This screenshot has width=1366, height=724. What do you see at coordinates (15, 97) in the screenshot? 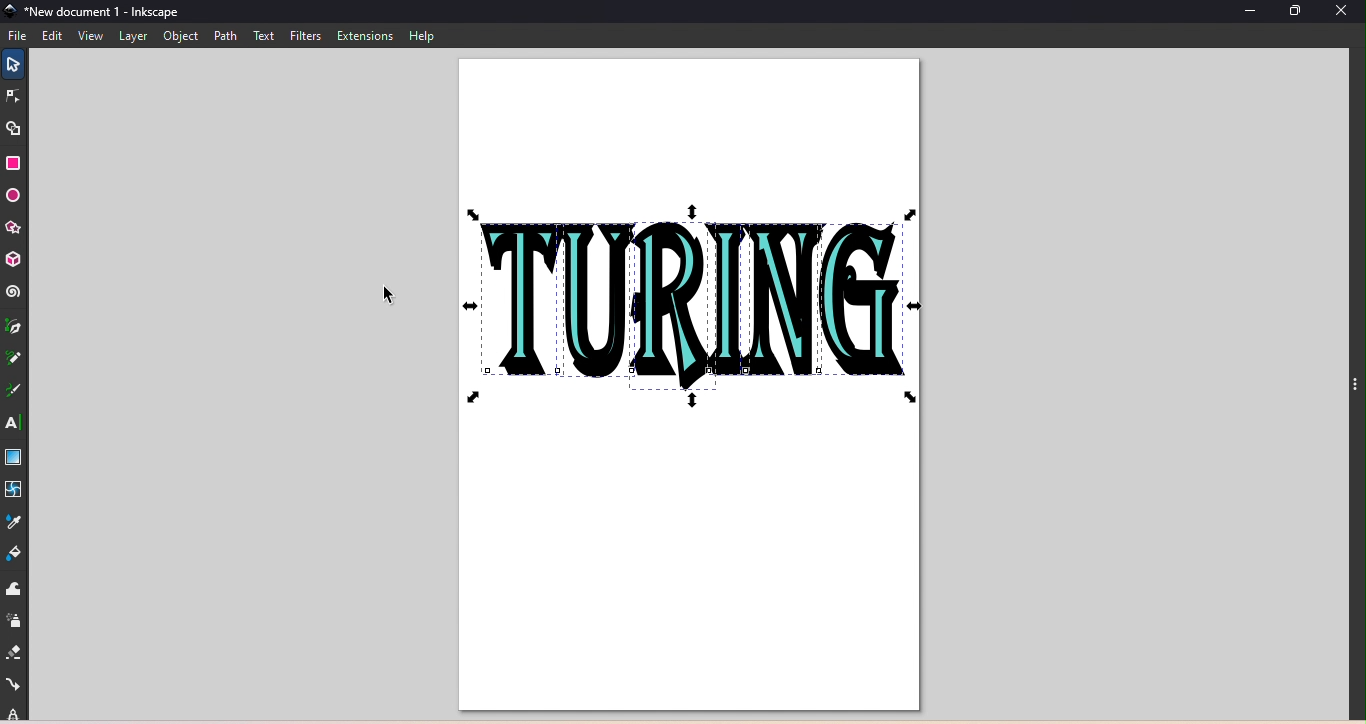
I see `Node tool` at bounding box center [15, 97].